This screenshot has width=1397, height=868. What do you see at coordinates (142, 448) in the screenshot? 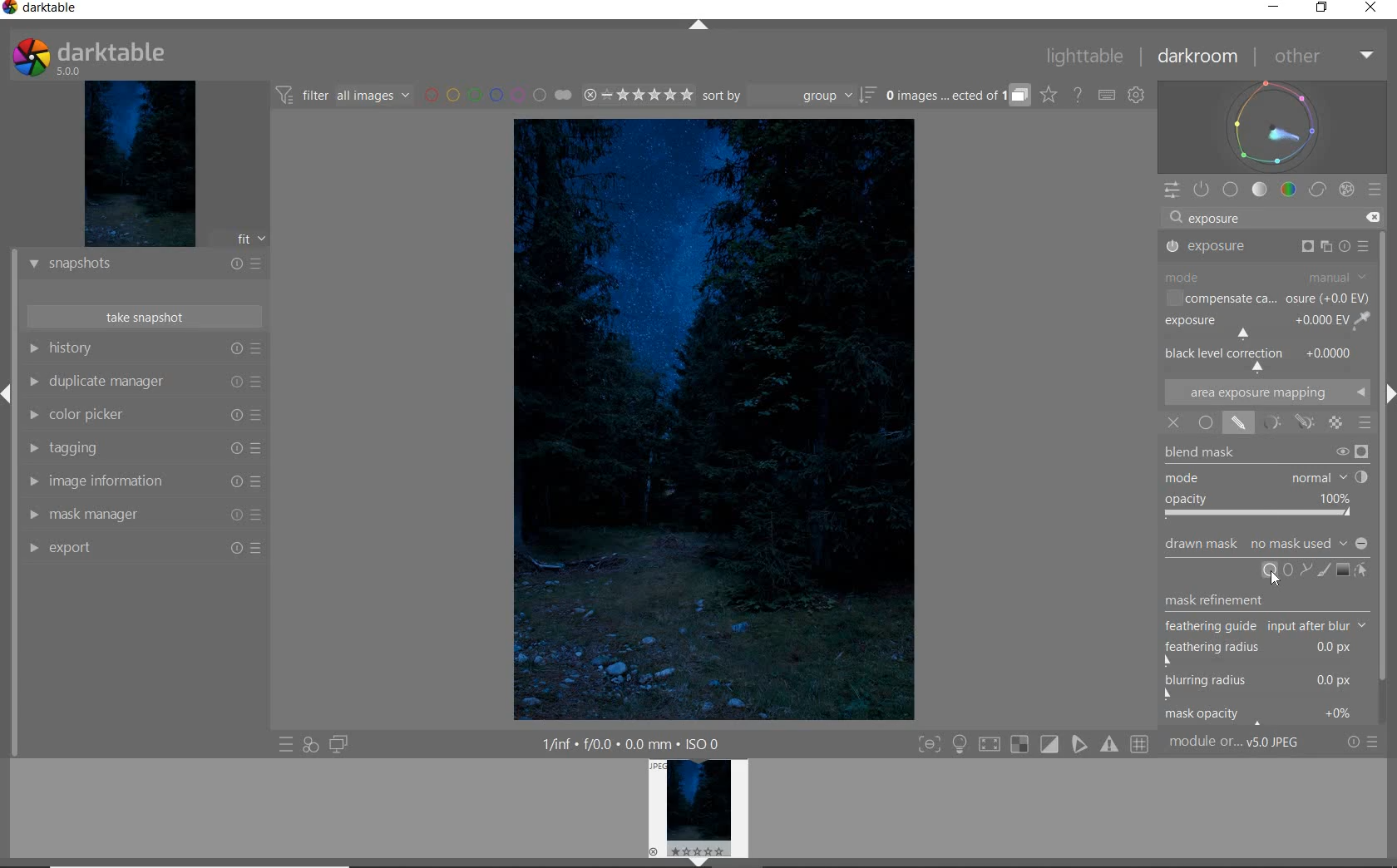
I see `TAGGING` at bounding box center [142, 448].